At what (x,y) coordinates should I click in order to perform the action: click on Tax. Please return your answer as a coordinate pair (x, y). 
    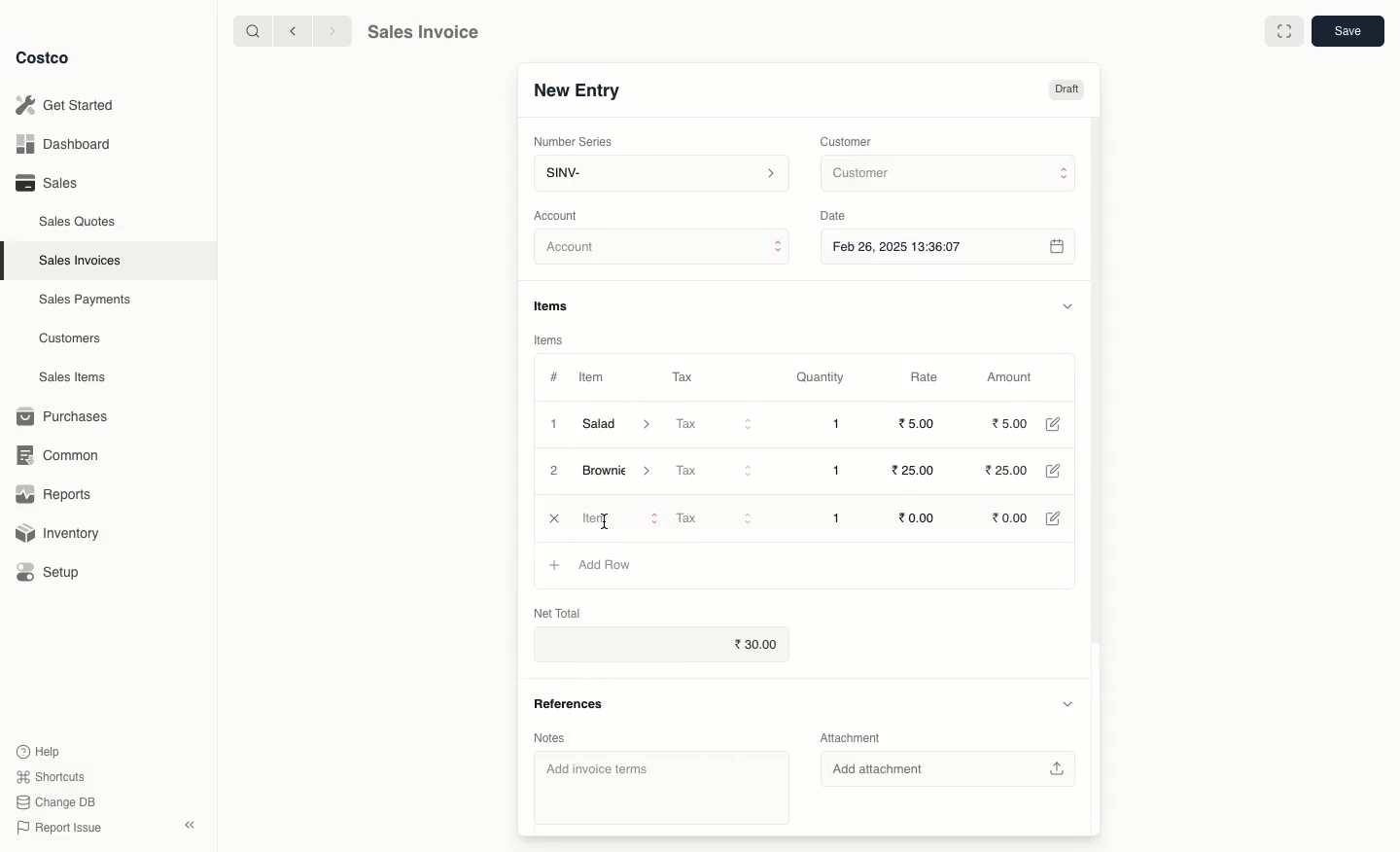
    Looking at the image, I should click on (713, 470).